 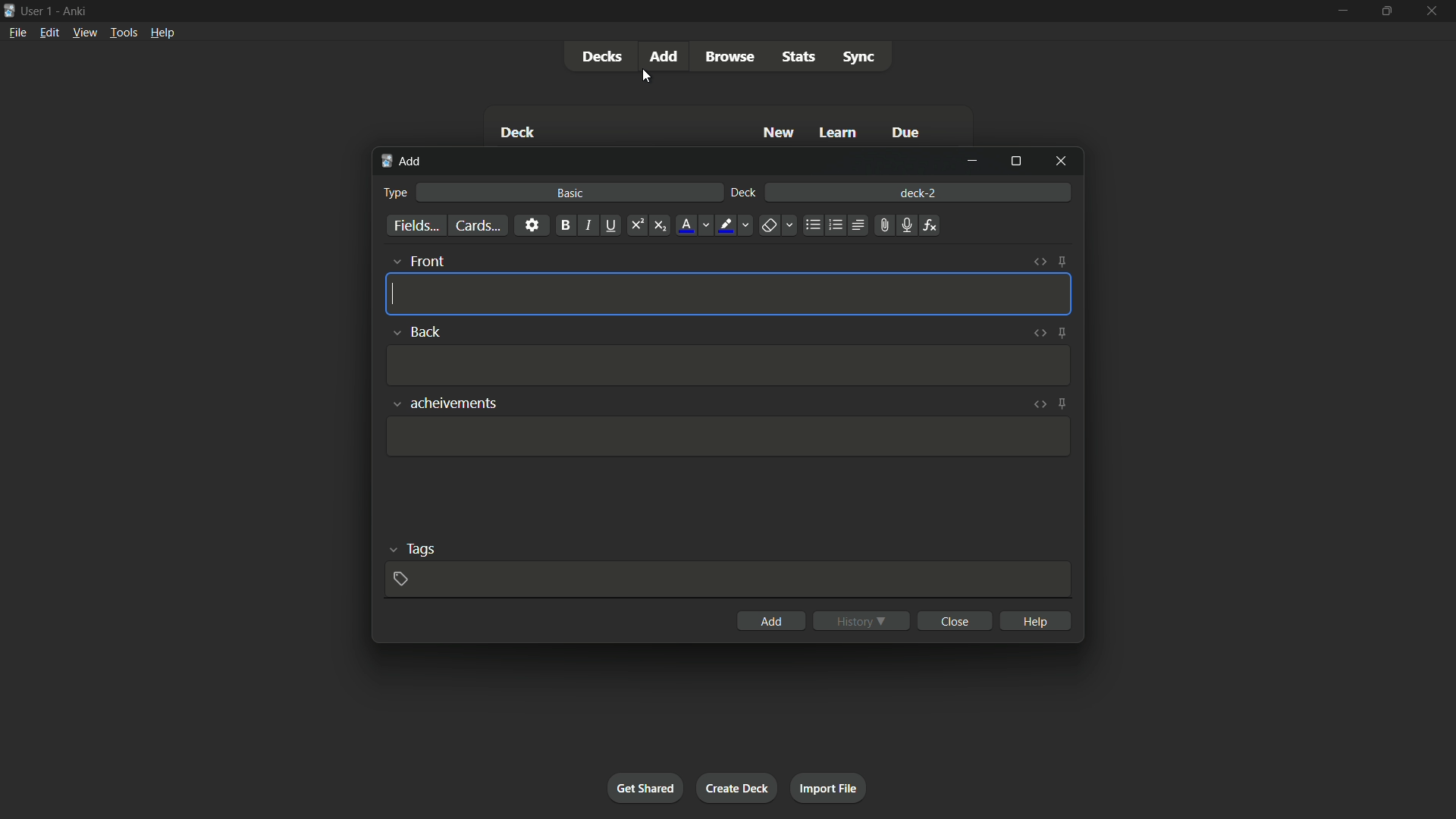 I want to click on tags, so click(x=413, y=548).